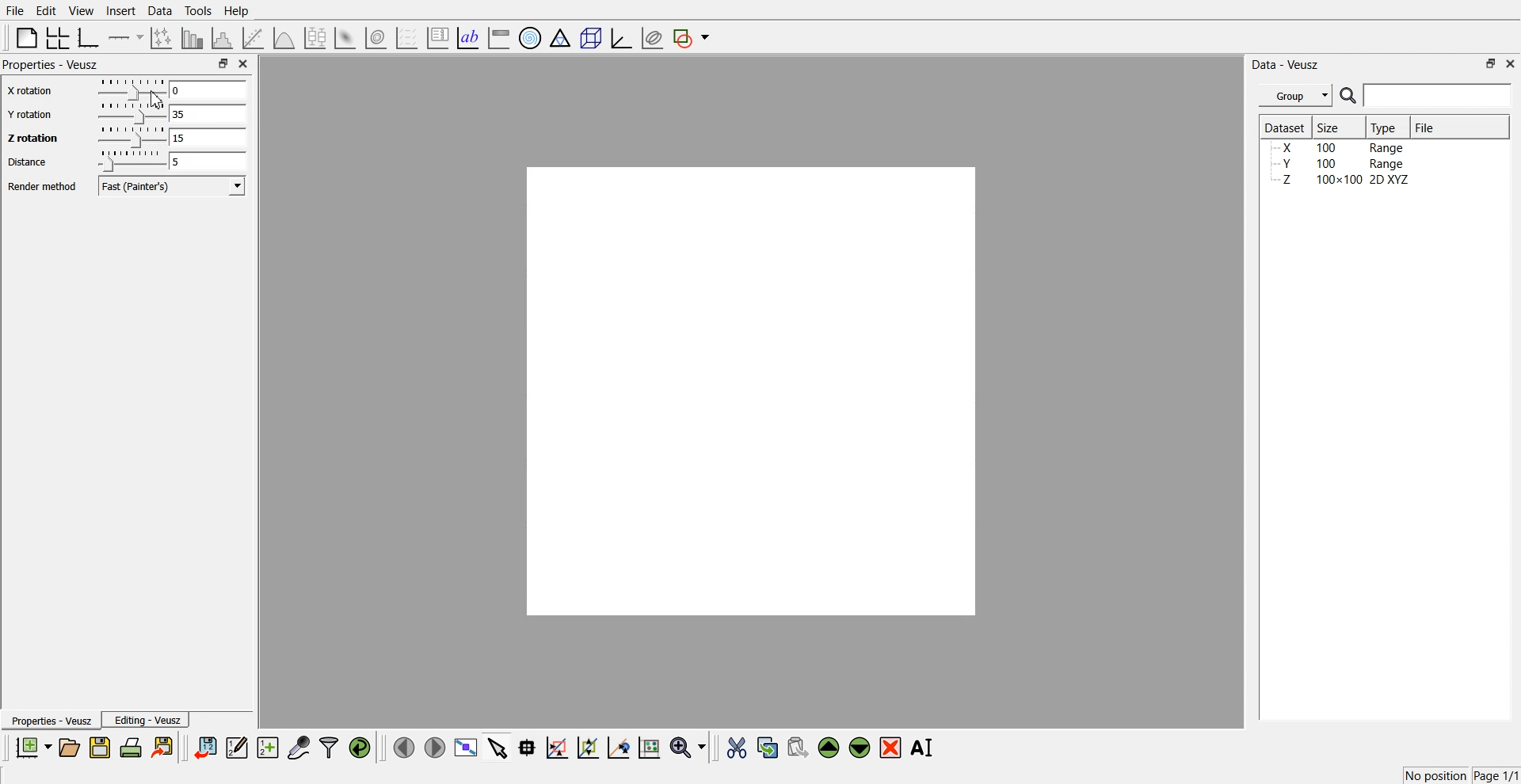 This screenshot has height=784, width=1521. What do you see at coordinates (206, 89) in the screenshot?
I see `0` at bounding box center [206, 89].